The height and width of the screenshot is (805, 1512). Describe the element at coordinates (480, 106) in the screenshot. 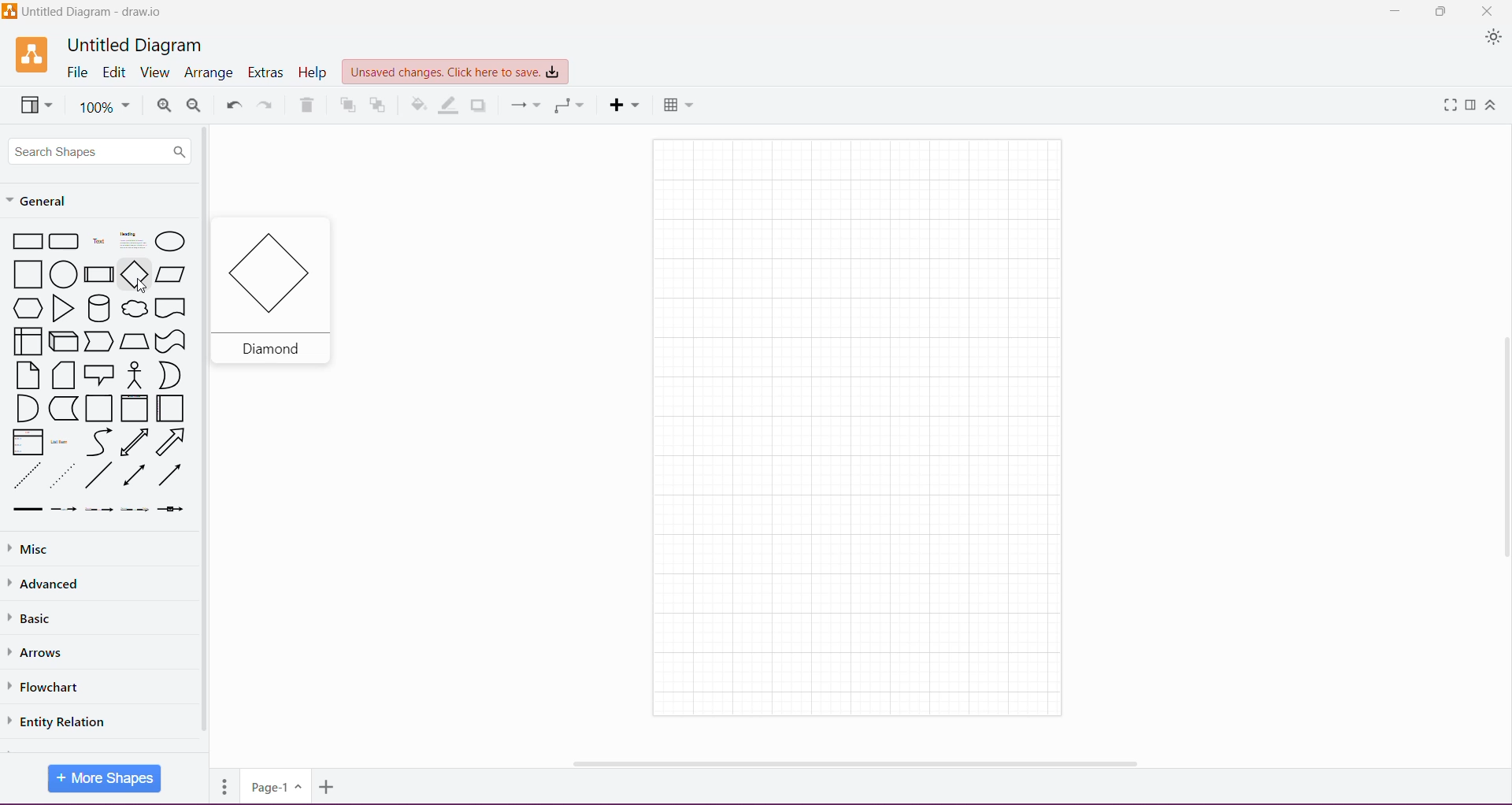

I see `Shadow` at that location.